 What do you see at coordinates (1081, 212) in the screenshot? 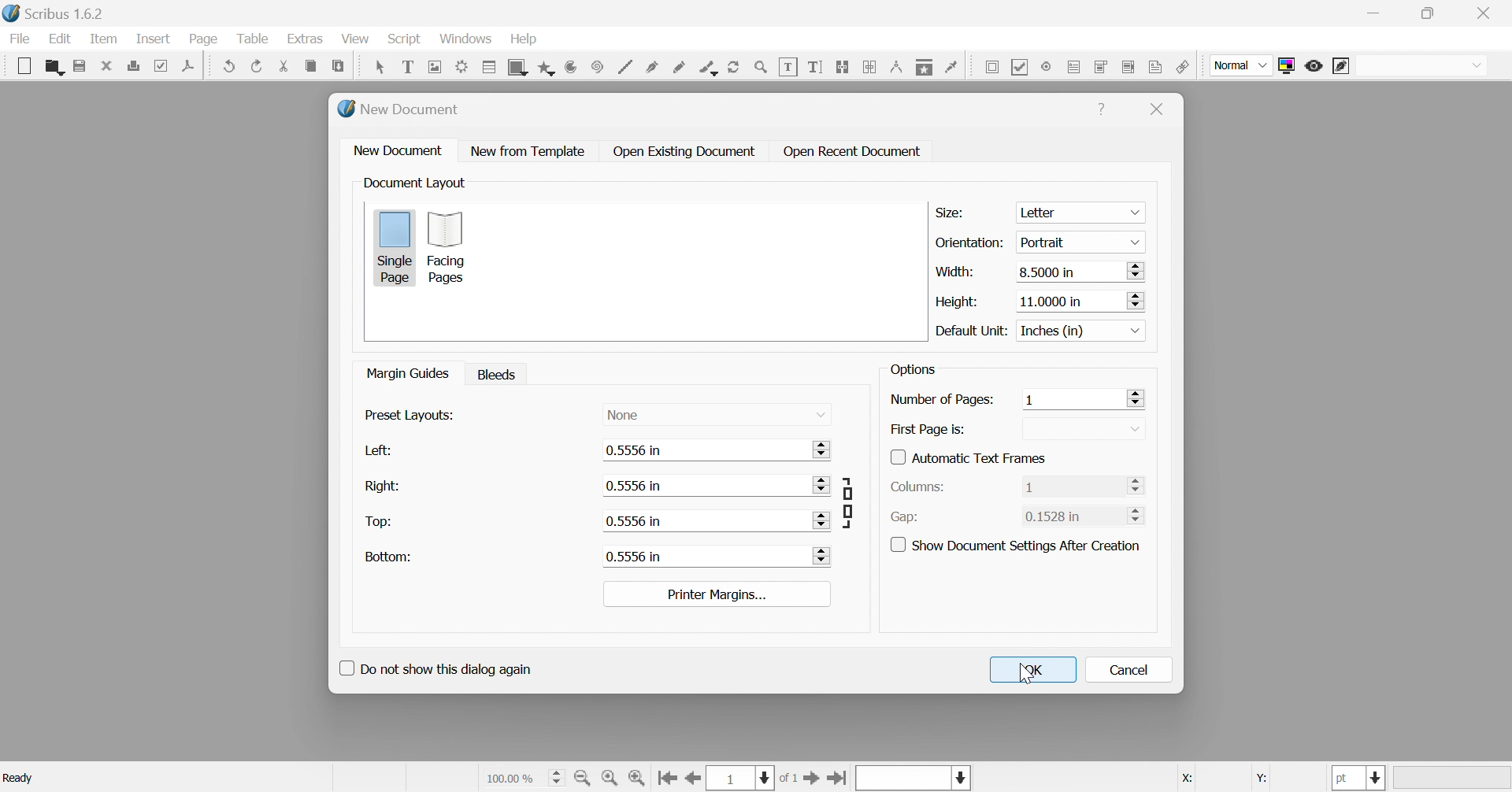
I see `letter` at bounding box center [1081, 212].